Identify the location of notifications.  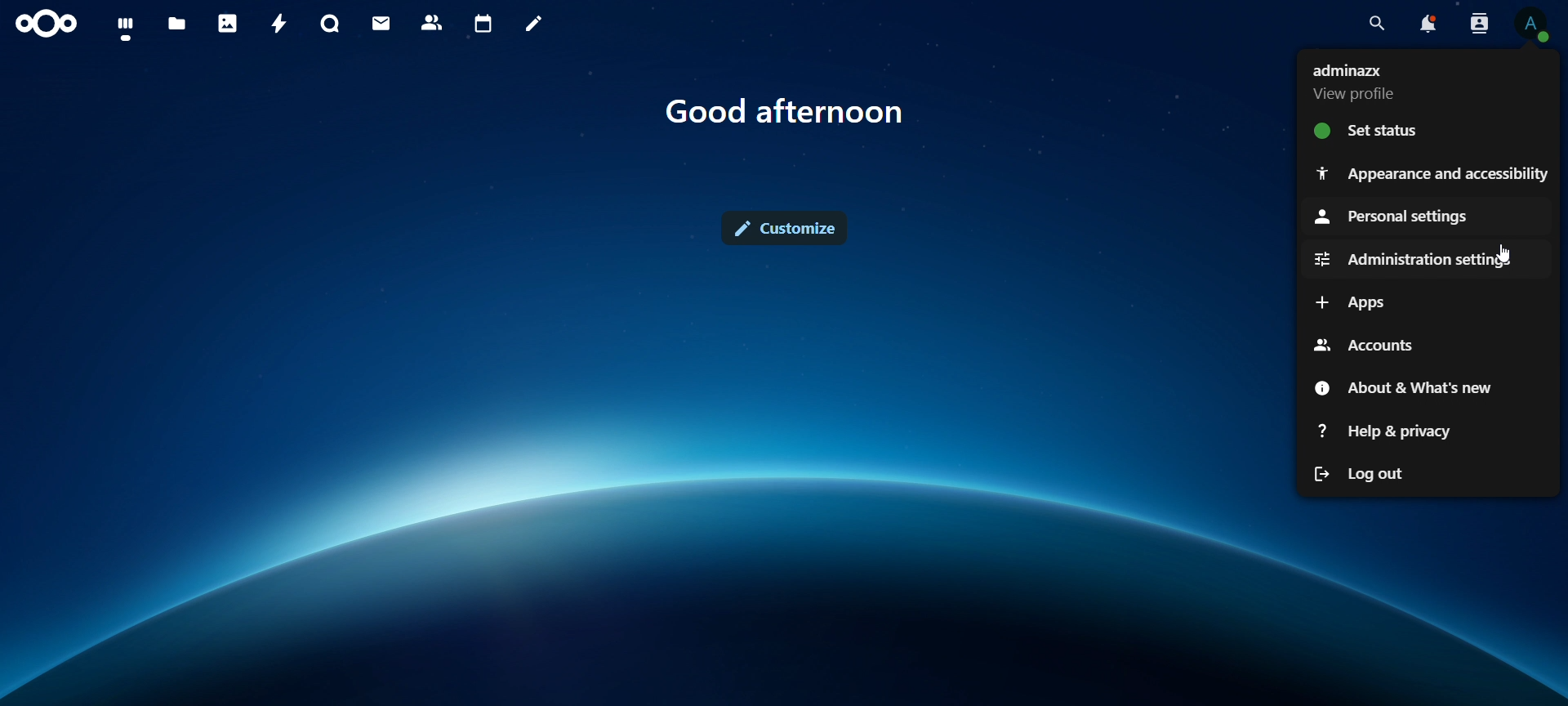
(1427, 25).